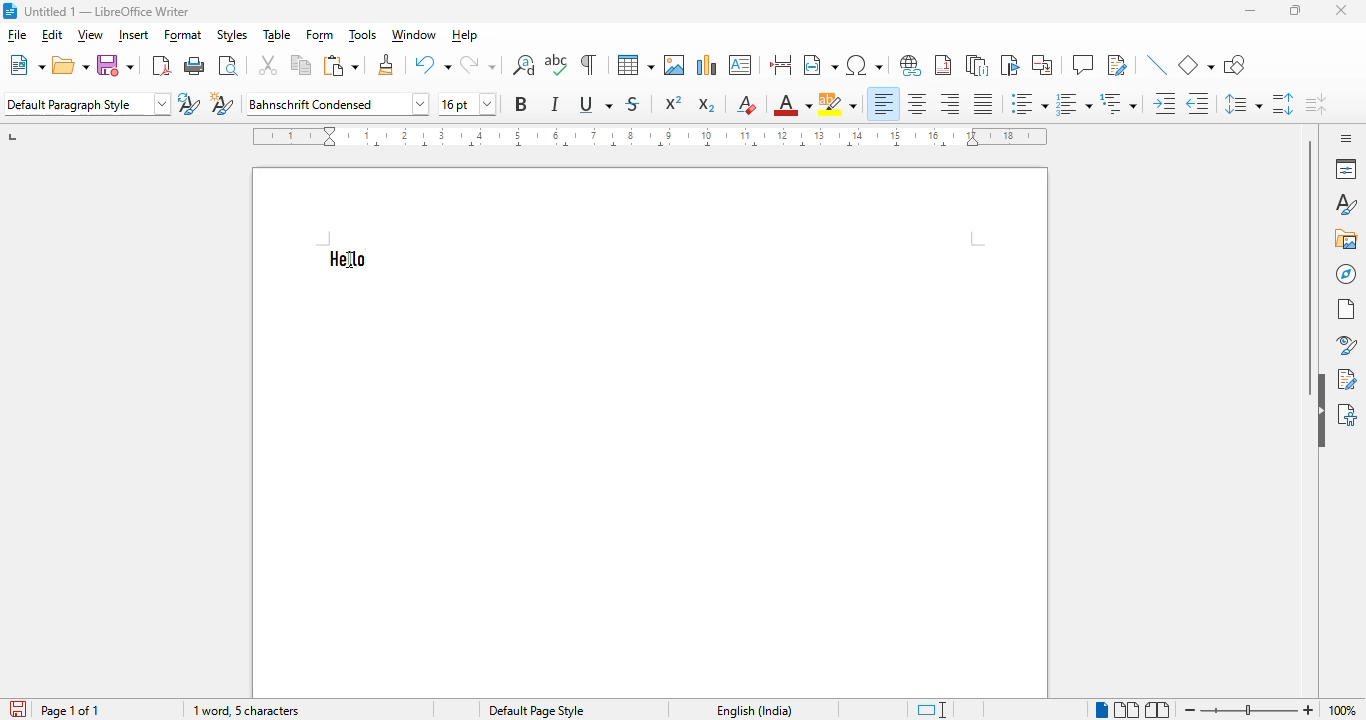  Describe the element at coordinates (1347, 274) in the screenshot. I see `navigator` at that location.